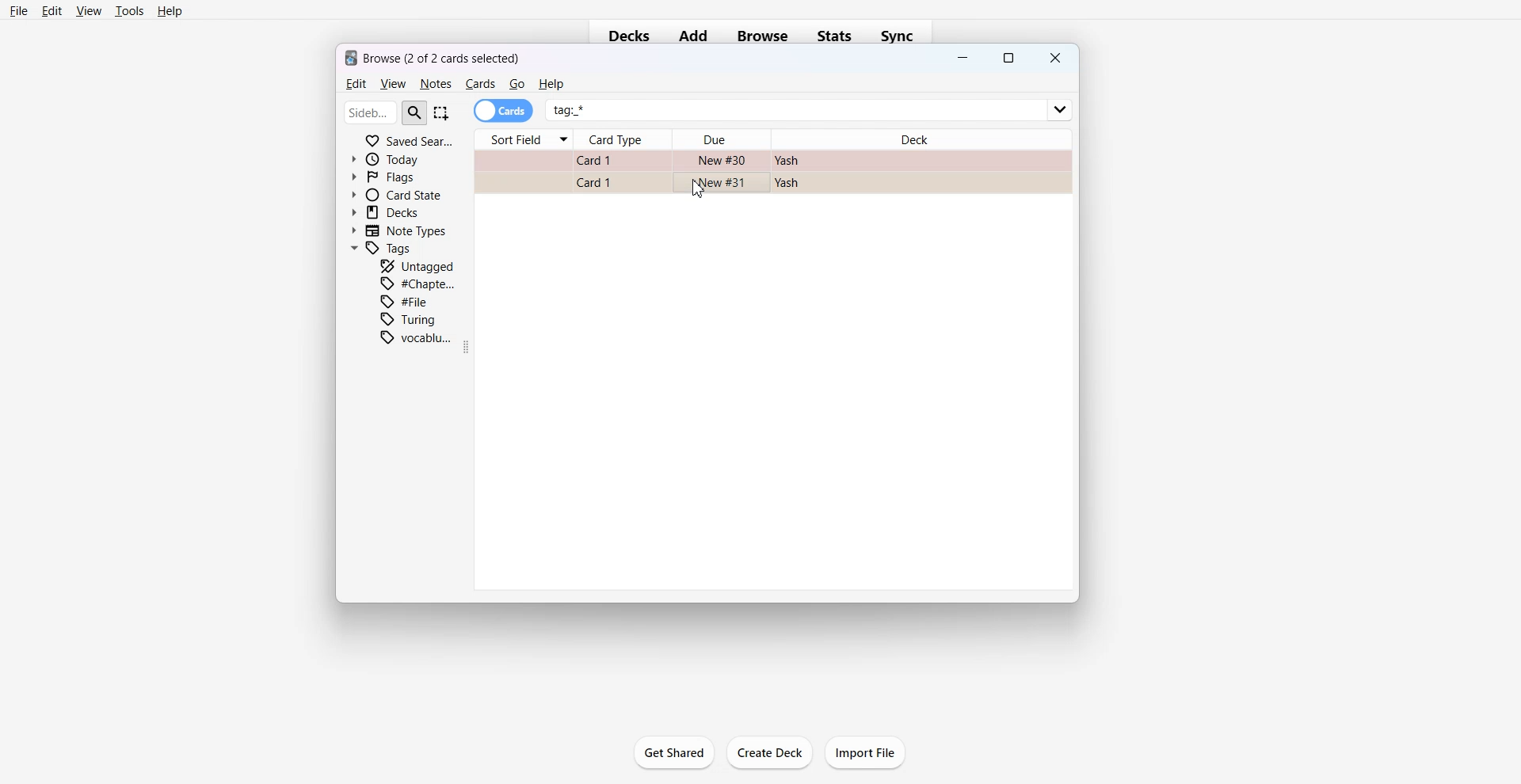 This screenshot has width=1521, height=784. Describe the element at coordinates (517, 84) in the screenshot. I see `Go` at that location.